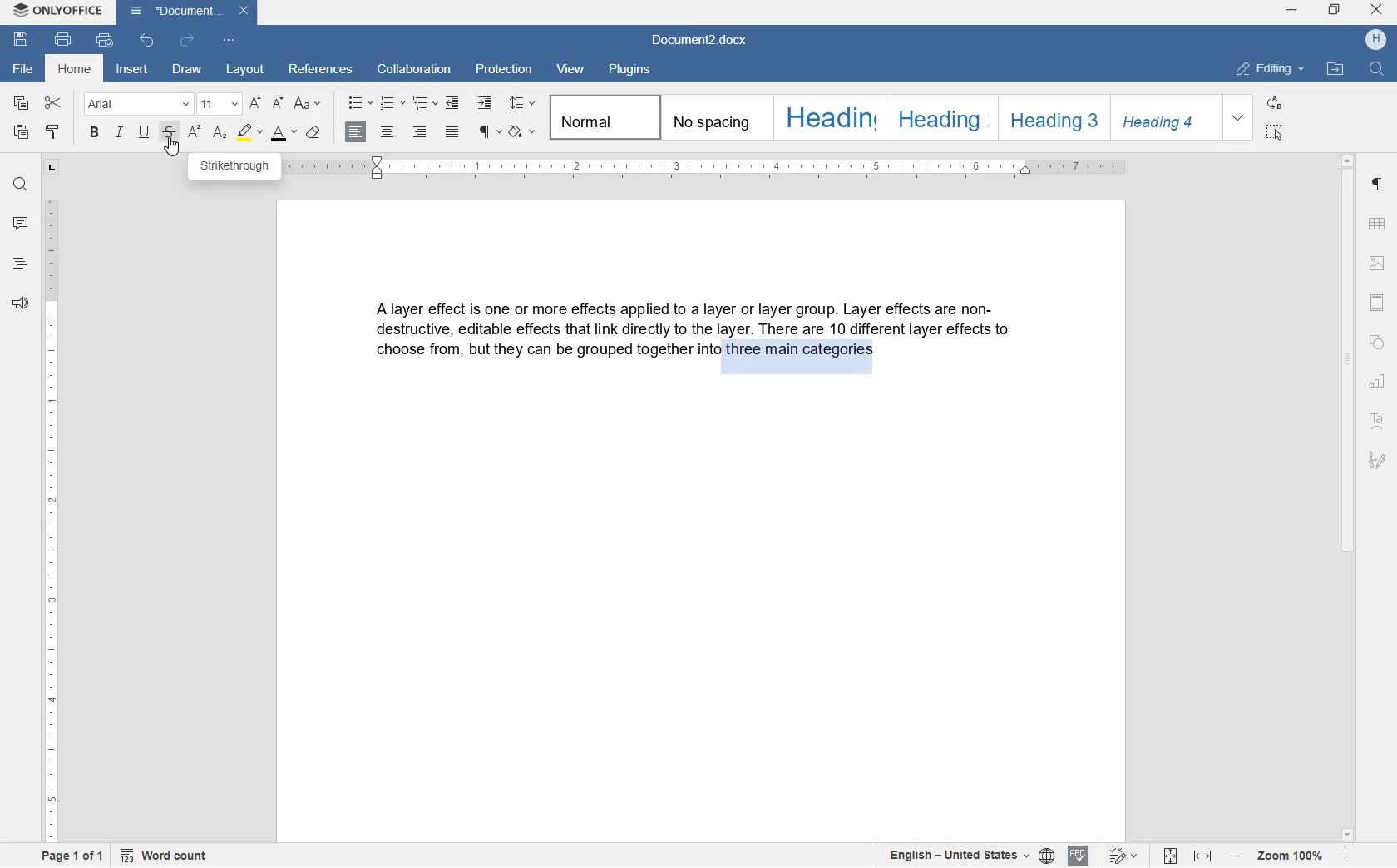 The height and width of the screenshot is (868, 1397). Describe the element at coordinates (1120, 856) in the screenshot. I see `text change` at that location.